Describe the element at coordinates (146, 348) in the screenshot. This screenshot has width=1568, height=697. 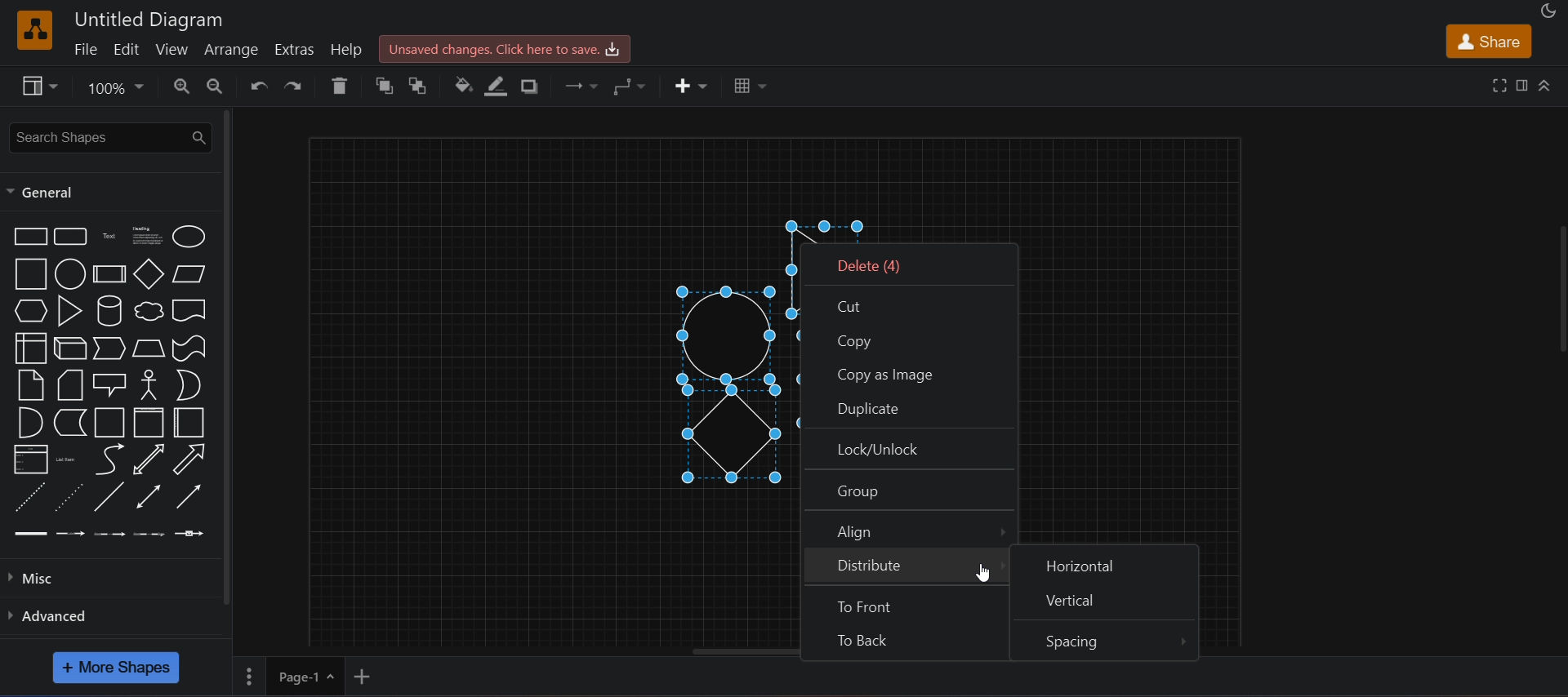
I see `trapezoid` at that location.